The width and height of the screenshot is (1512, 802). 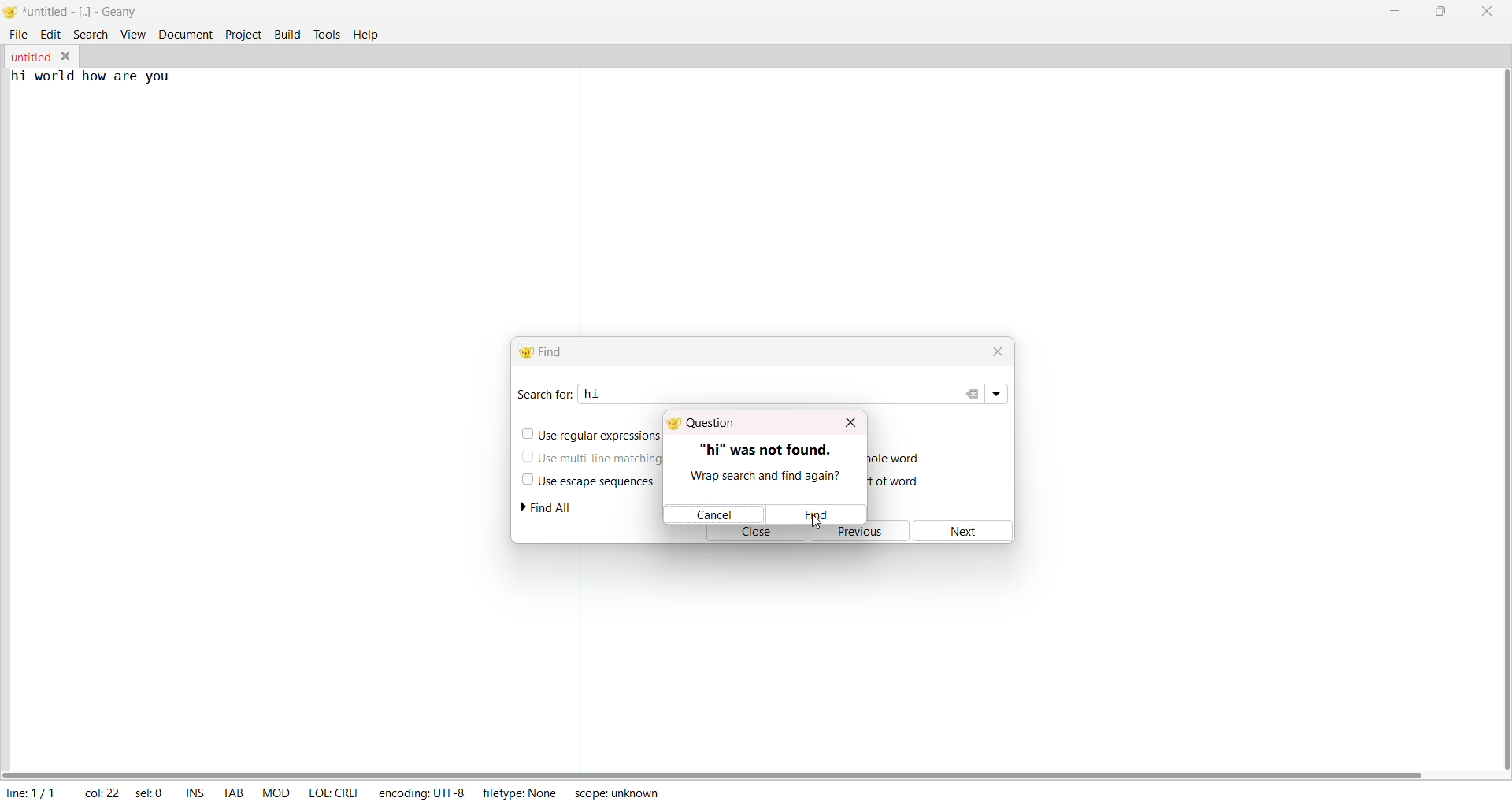 I want to click on close , so click(x=71, y=55).